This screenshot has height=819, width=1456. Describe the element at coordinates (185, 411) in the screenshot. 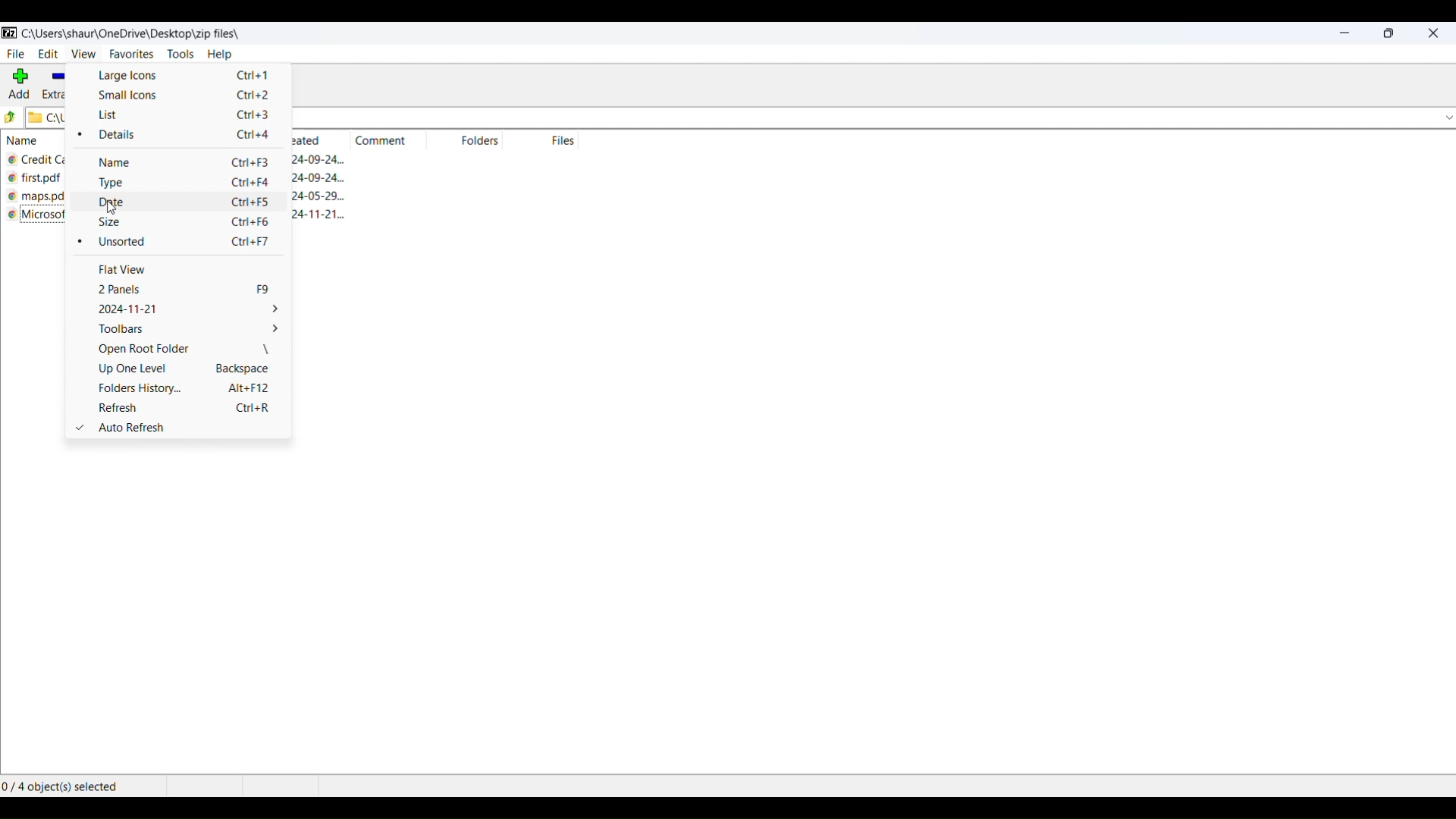

I see `refresh` at that location.